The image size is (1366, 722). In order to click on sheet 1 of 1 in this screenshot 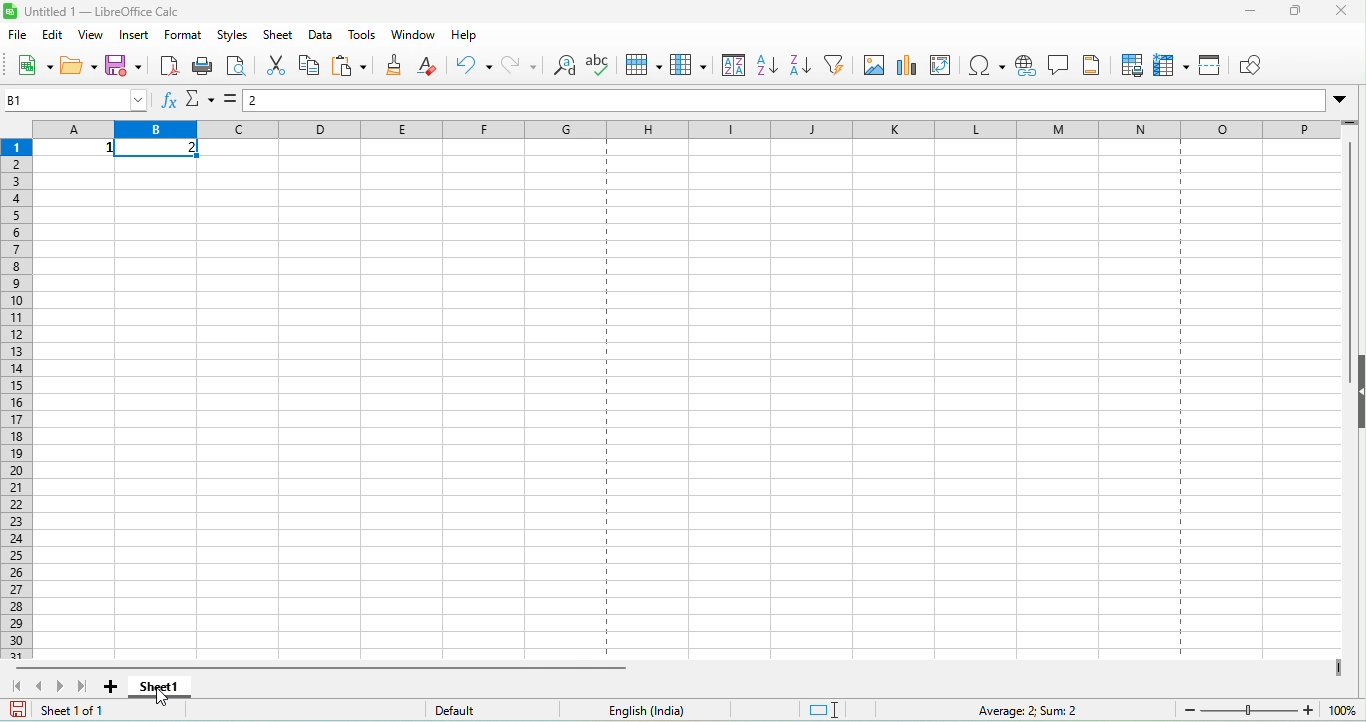, I will do `click(70, 712)`.